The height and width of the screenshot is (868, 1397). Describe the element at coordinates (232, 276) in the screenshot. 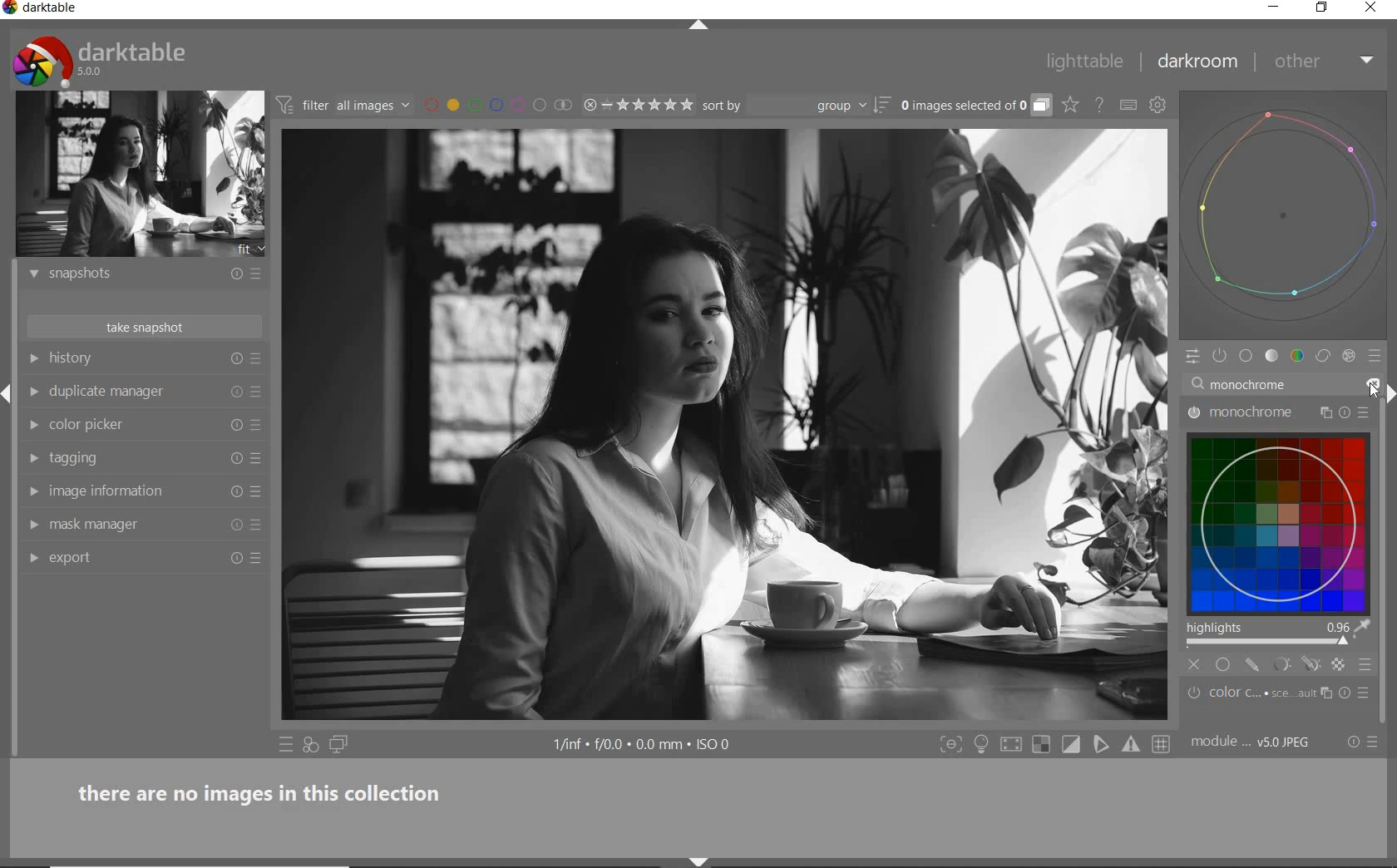

I see `reset` at that location.